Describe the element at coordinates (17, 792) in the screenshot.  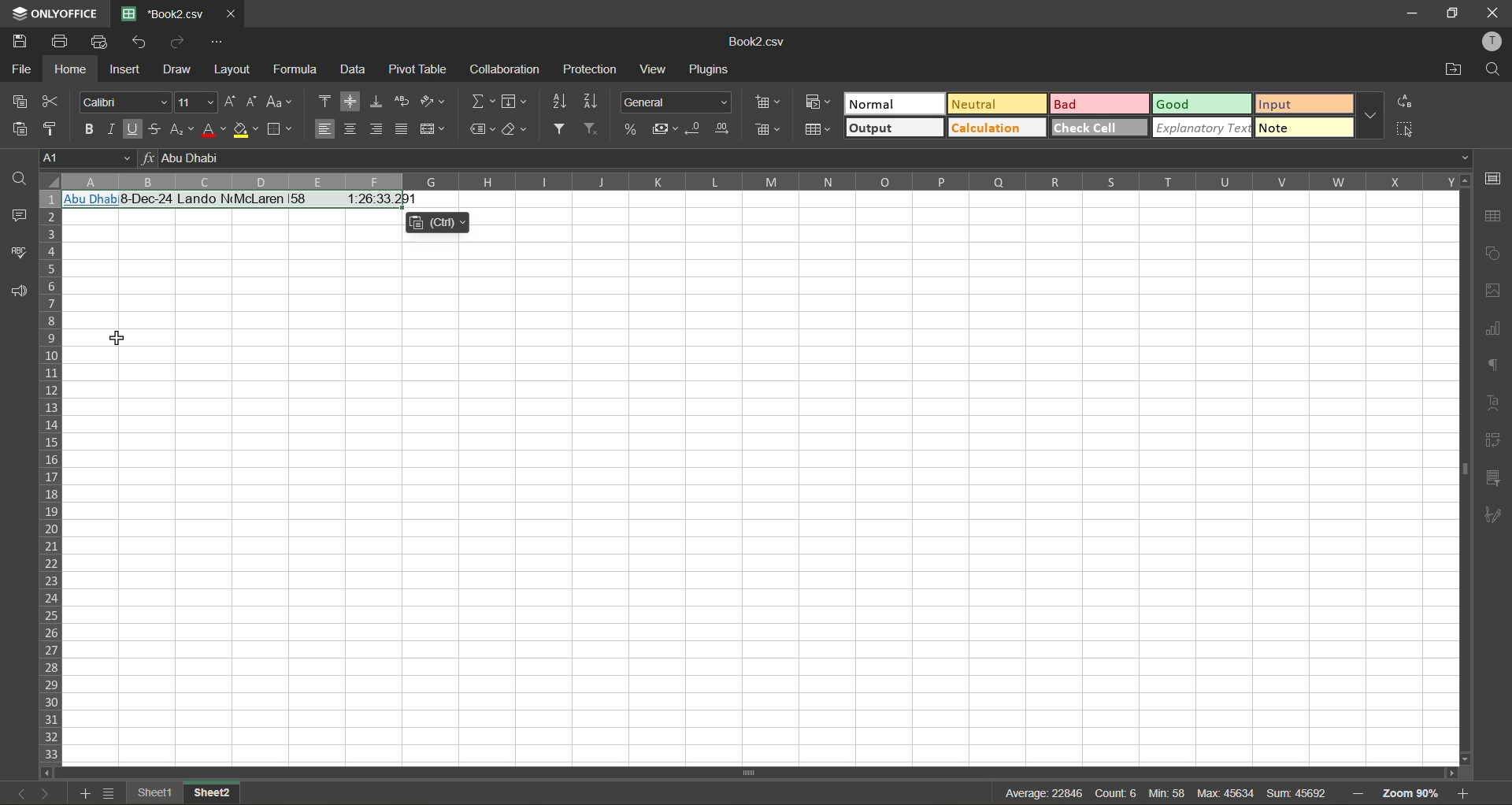
I see `previous` at that location.